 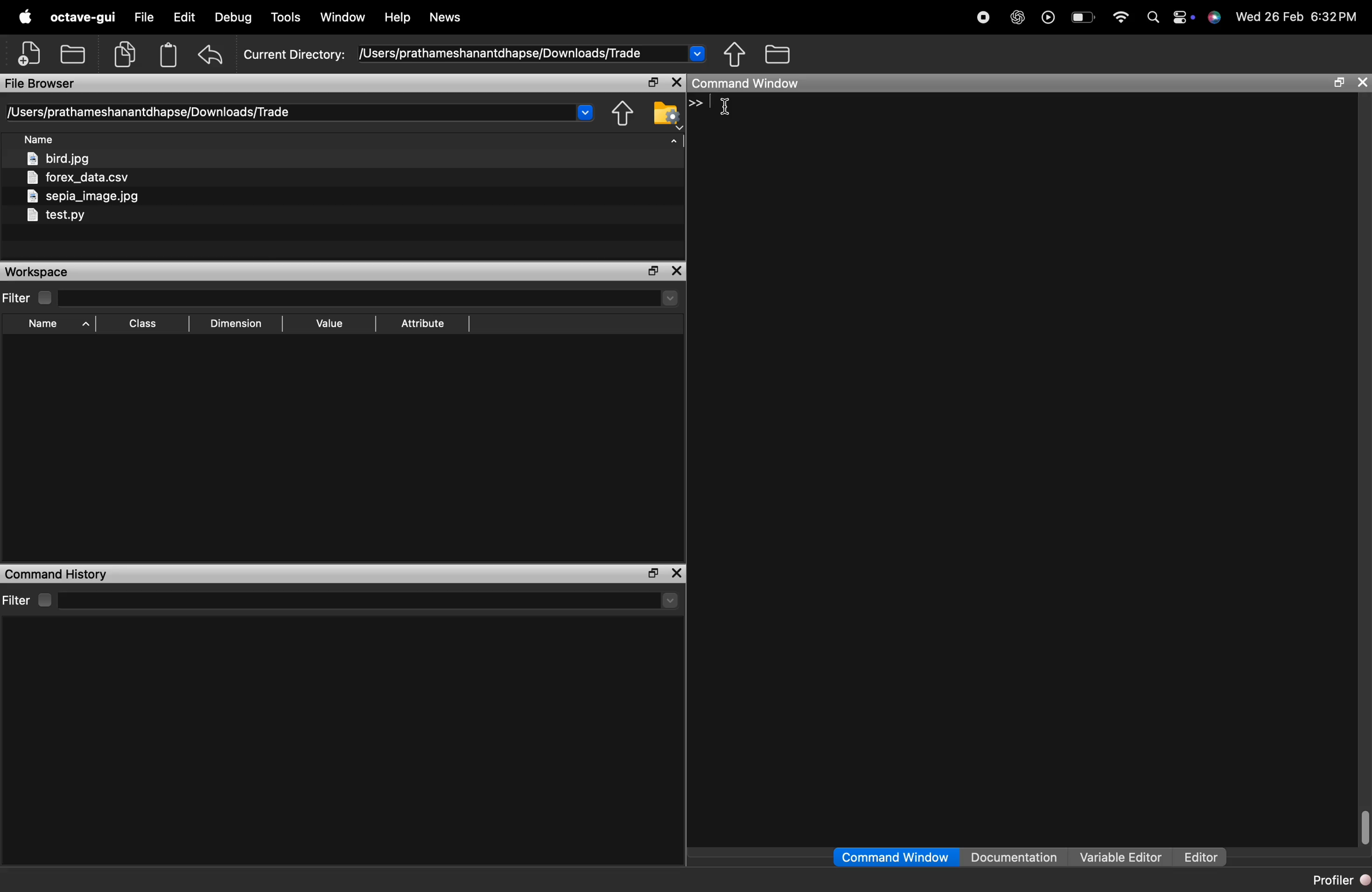 What do you see at coordinates (57, 573) in the screenshot?
I see `command history` at bounding box center [57, 573].